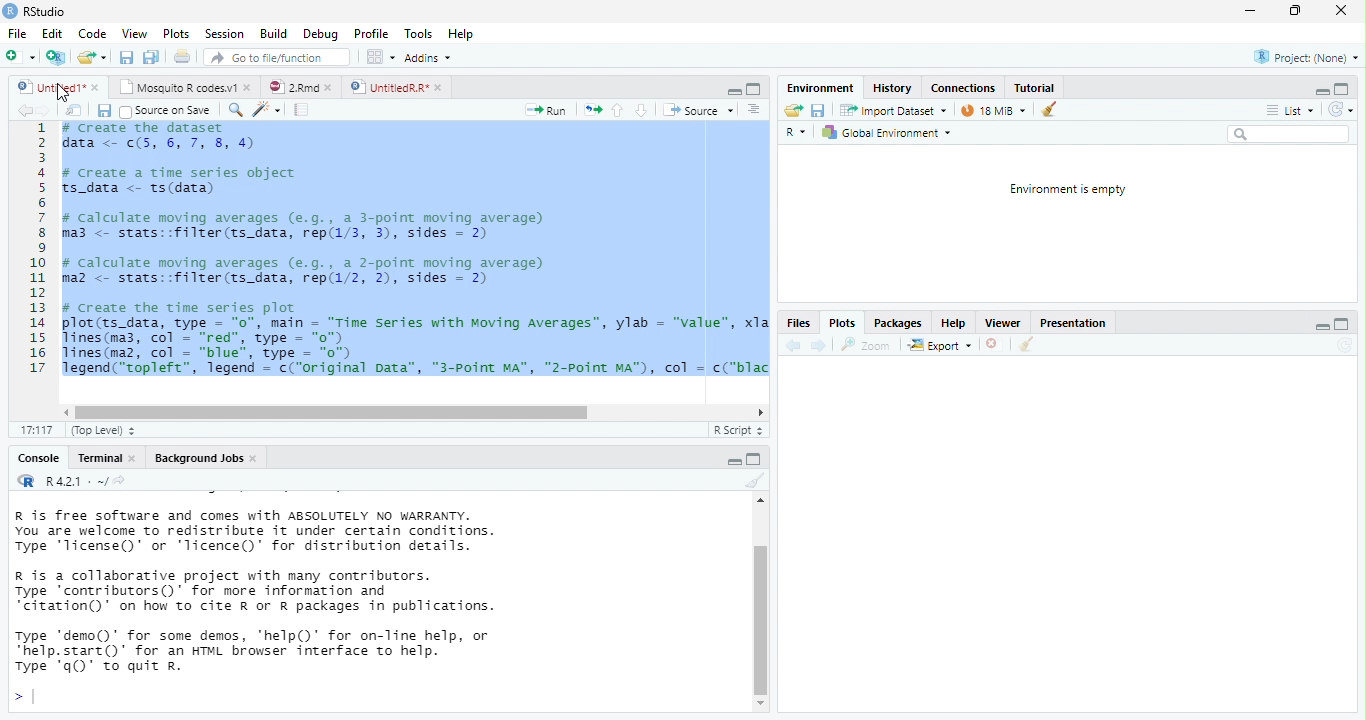 This screenshot has height=720, width=1366. What do you see at coordinates (819, 111) in the screenshot?
I see `save current document` at bounding box center [819, 111].